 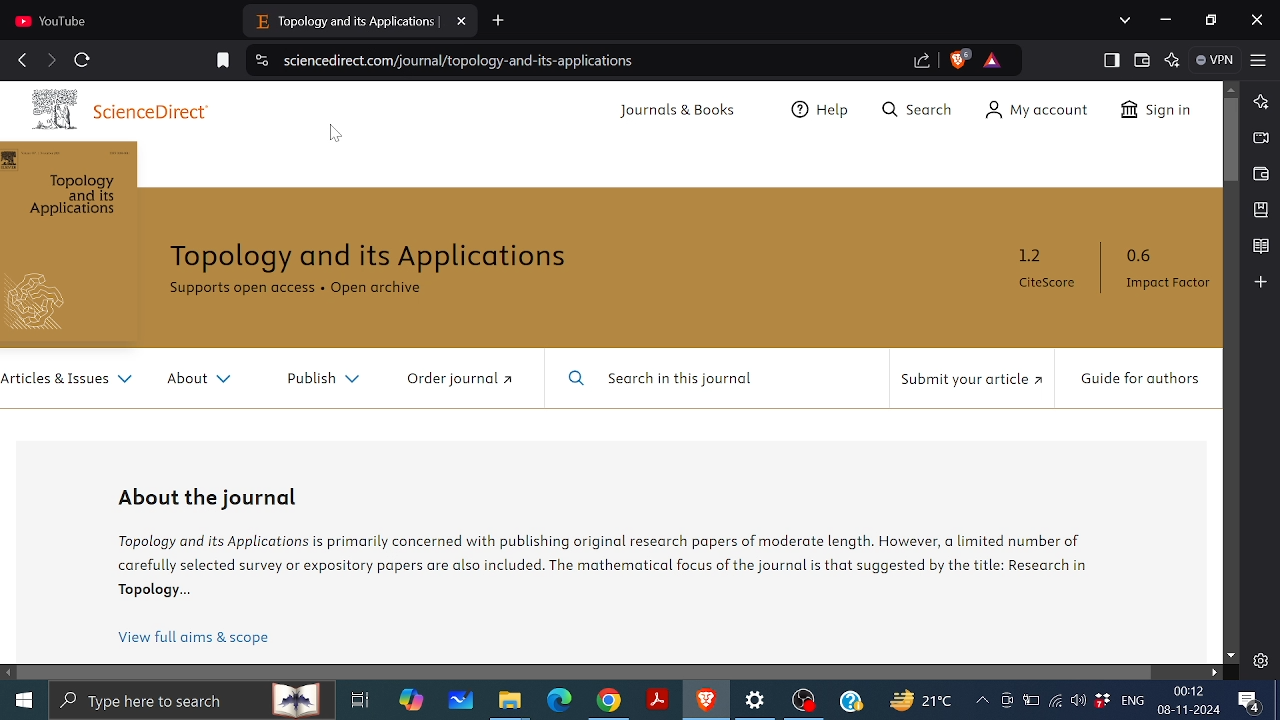 I want to click on Meet now, so click(x=1006, y=700).